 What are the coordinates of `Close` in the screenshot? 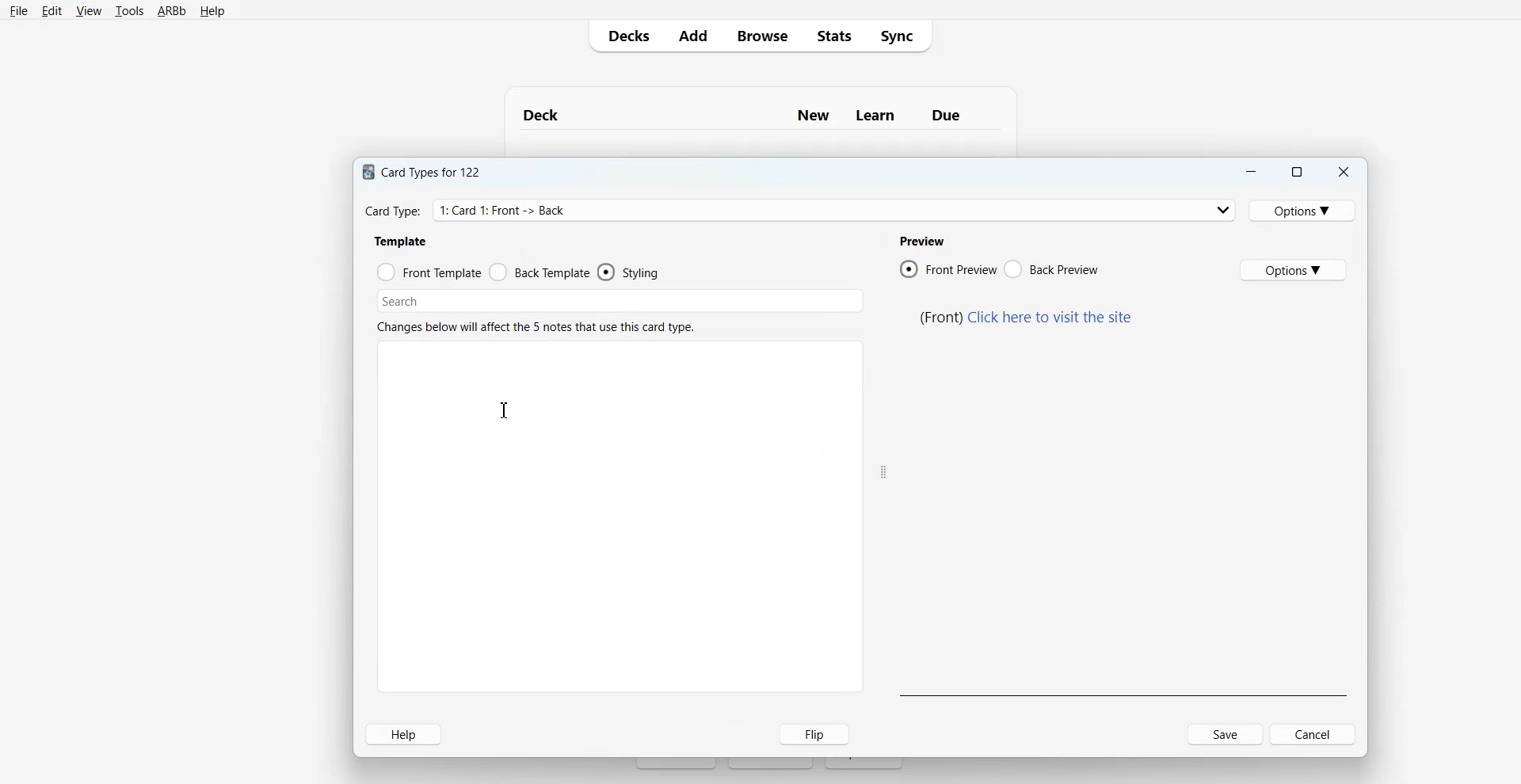 It's located at (1344, 170).